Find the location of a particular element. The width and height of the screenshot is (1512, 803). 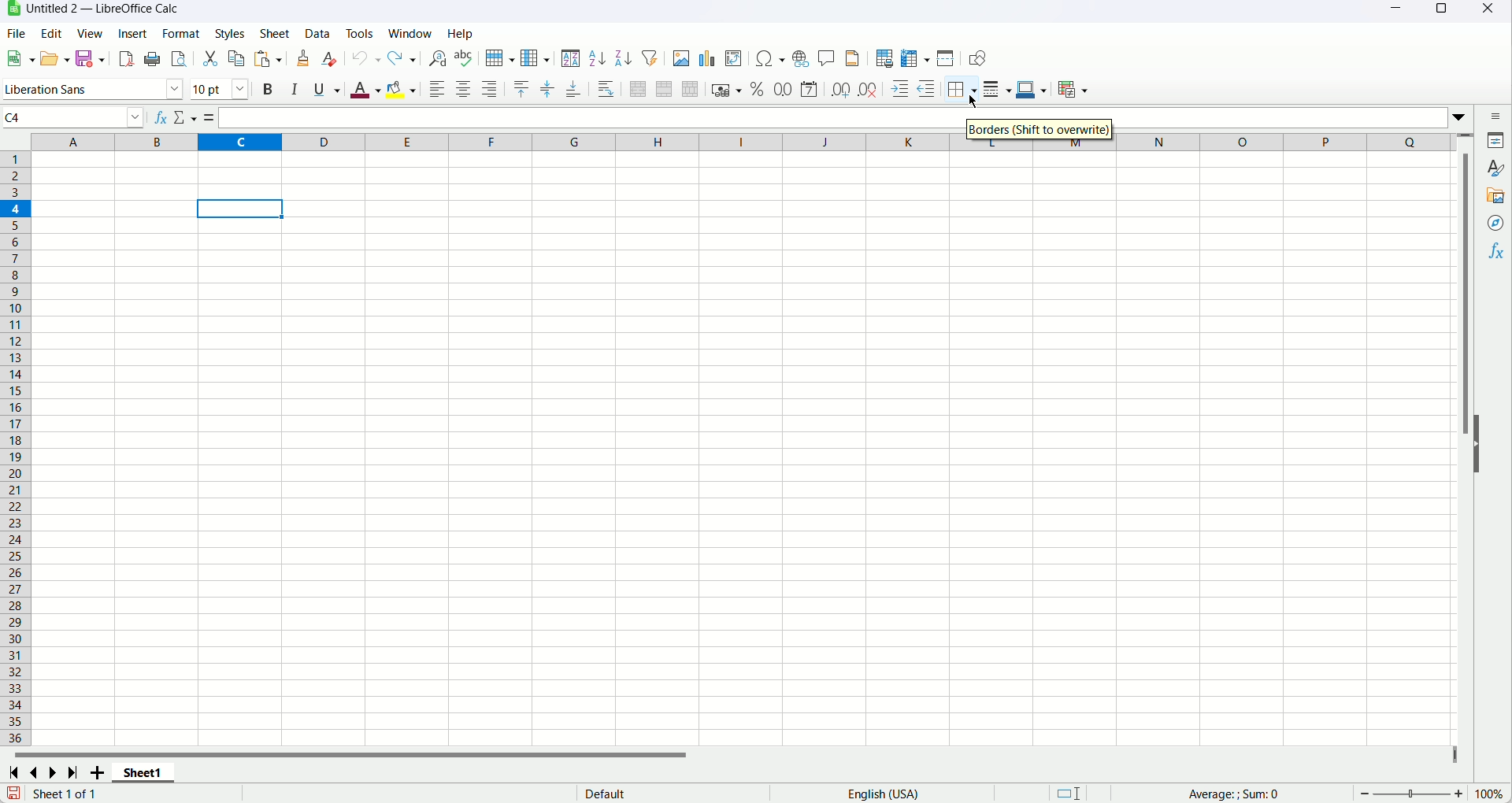

Underline is located at coordinates (327, 89).